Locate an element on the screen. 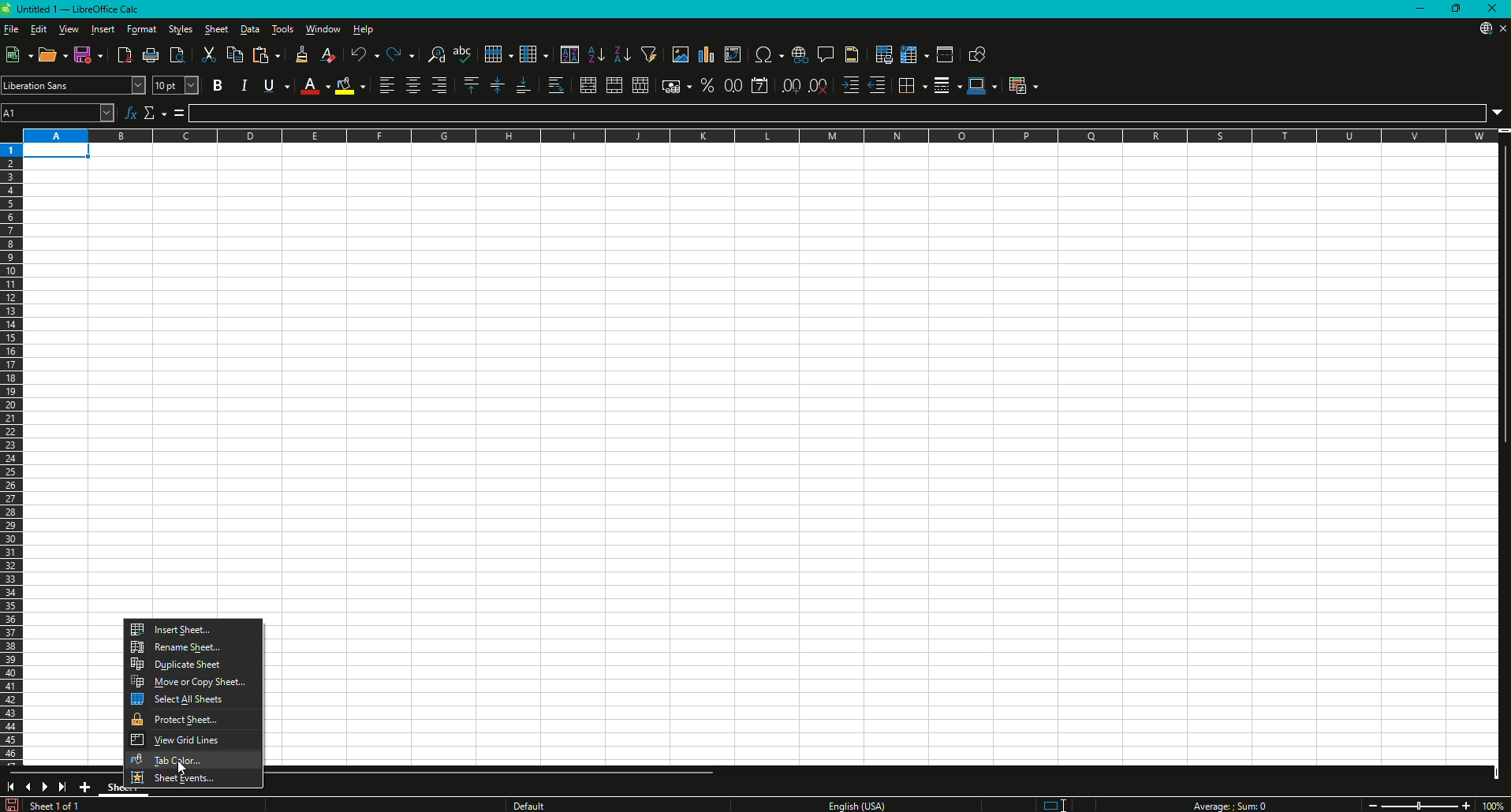 This screenshot has height=812, width=1511. Increase Indent is located at coordinates (851, 85).